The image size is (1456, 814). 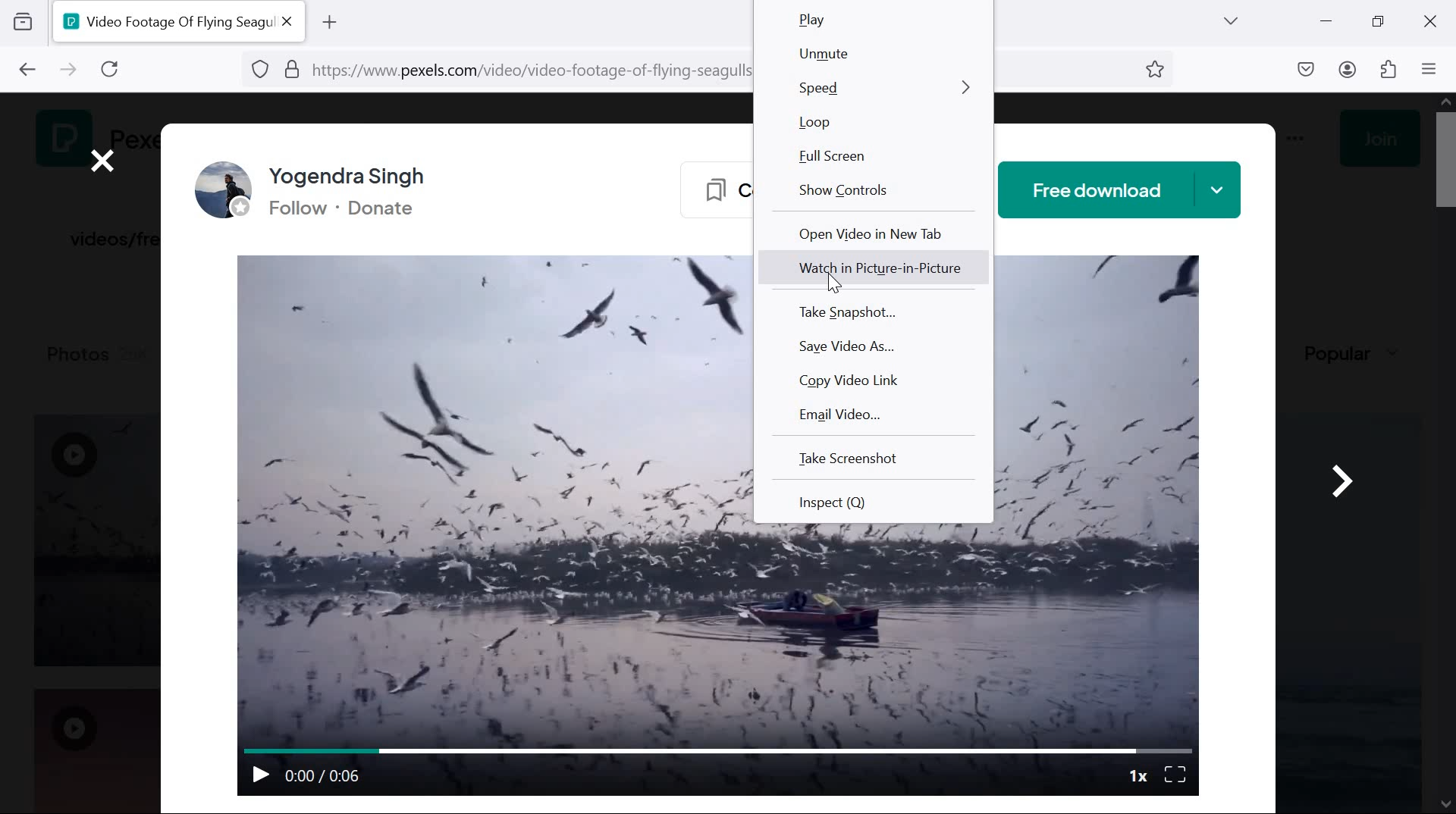 What do you see at coordinates (218, 191) in the screenshot?
I see `profile picture` at bounding box center [218, 191].